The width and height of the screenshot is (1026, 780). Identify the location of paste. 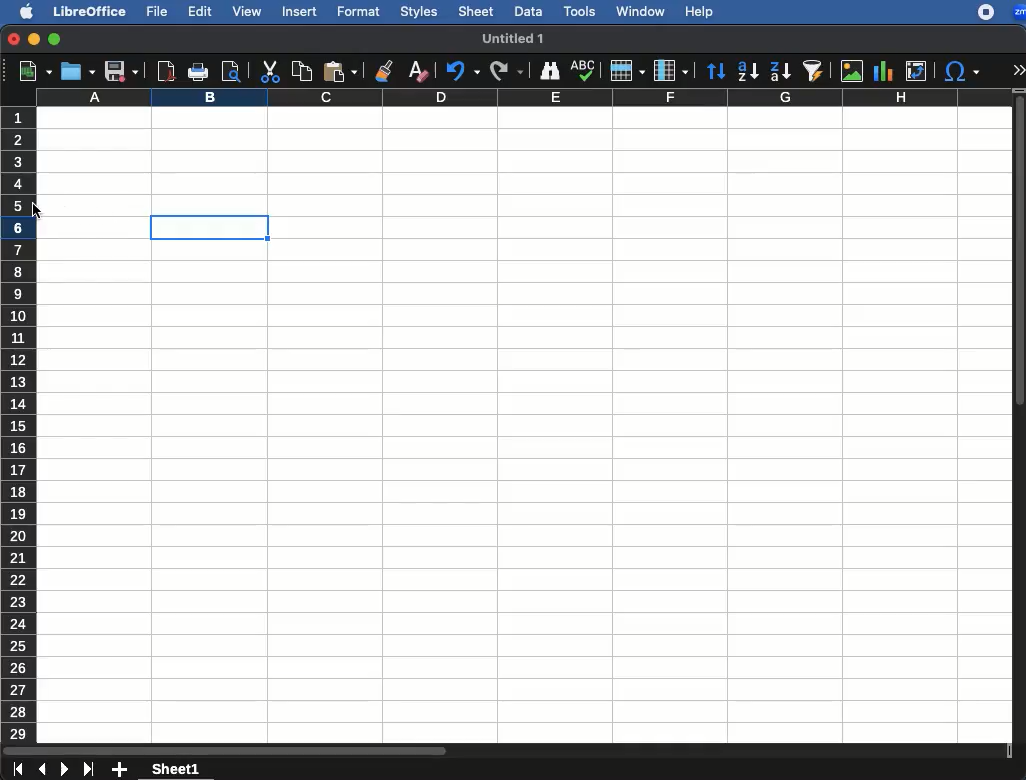
(340, 72).